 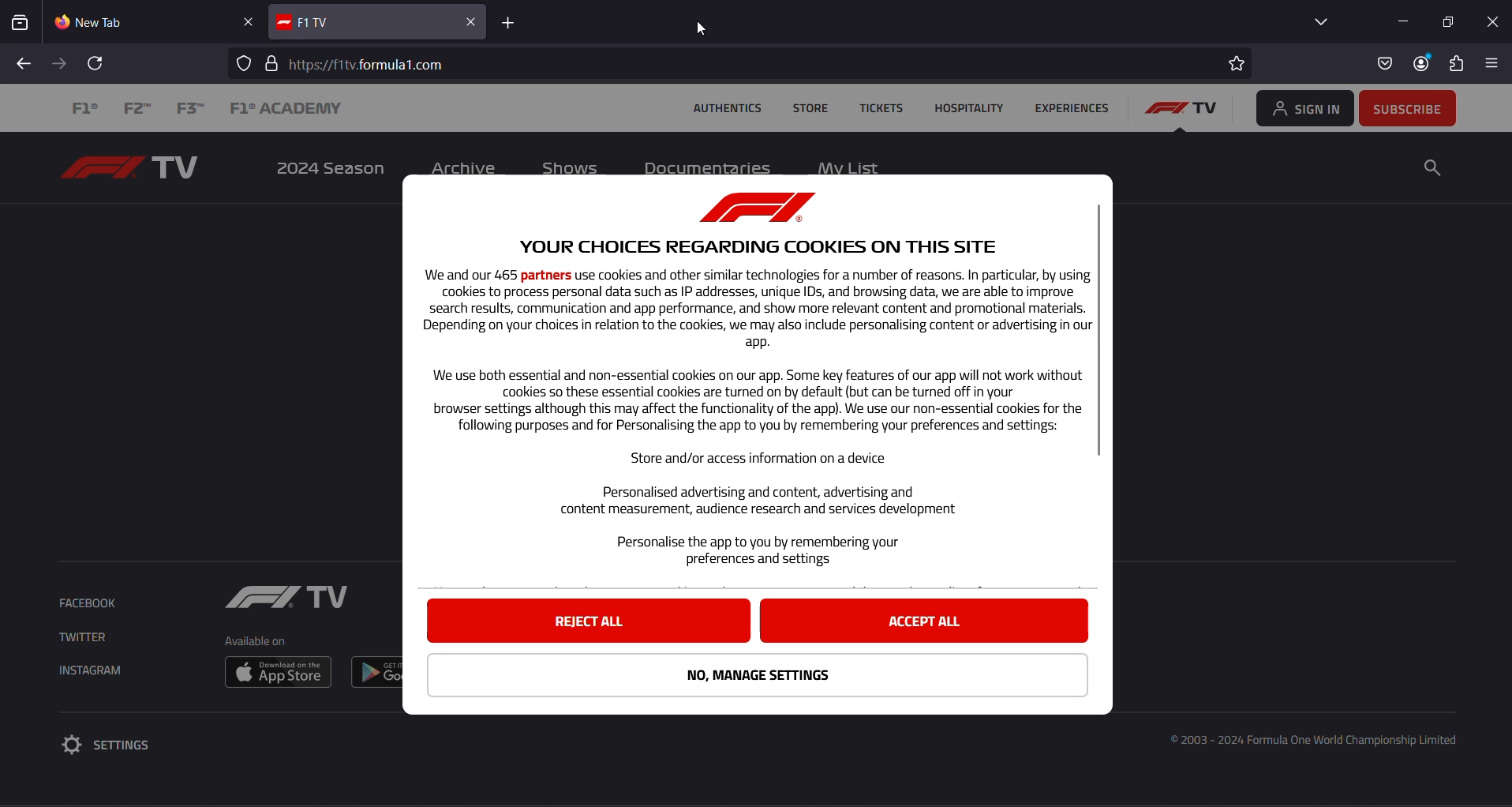 What do you see at coordinates (1316, 24) in the screenshot?
I see `list all tabs` at bounding box center [1316, 24].